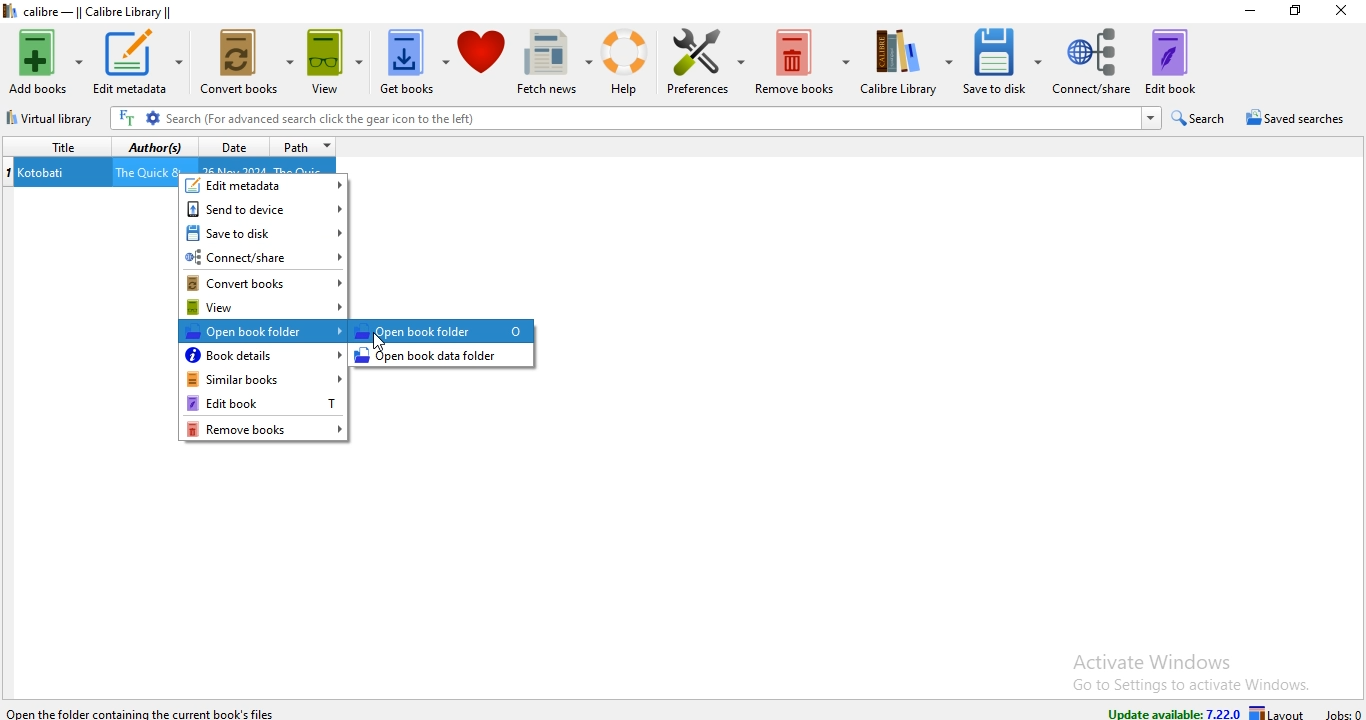 The width and height of the screenshot is (1366, 720). Describe the element at coordinates (385, 345) in the screenshot. I see `Cursor` at that location.